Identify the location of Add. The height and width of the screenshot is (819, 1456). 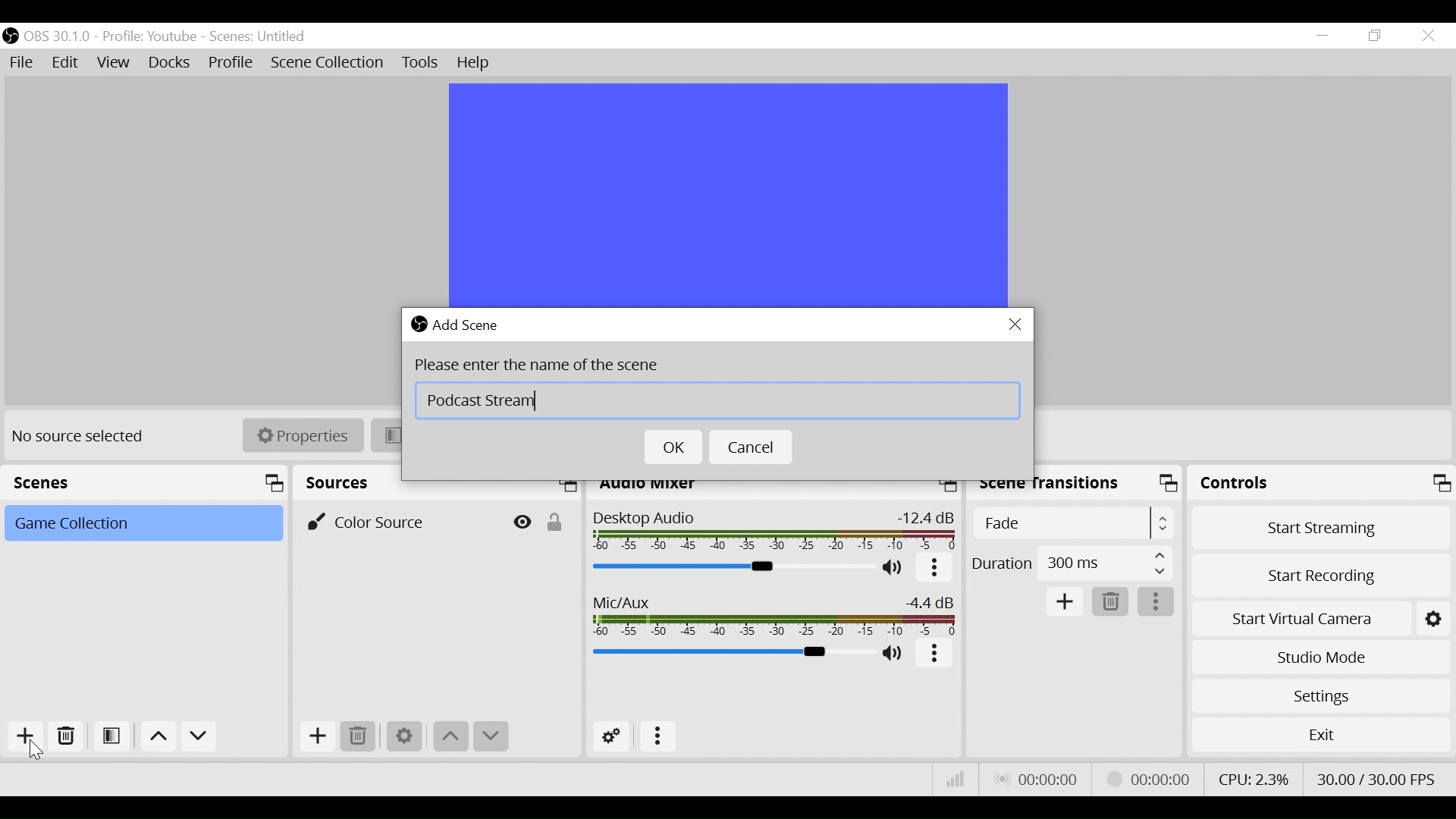
(315, 736).